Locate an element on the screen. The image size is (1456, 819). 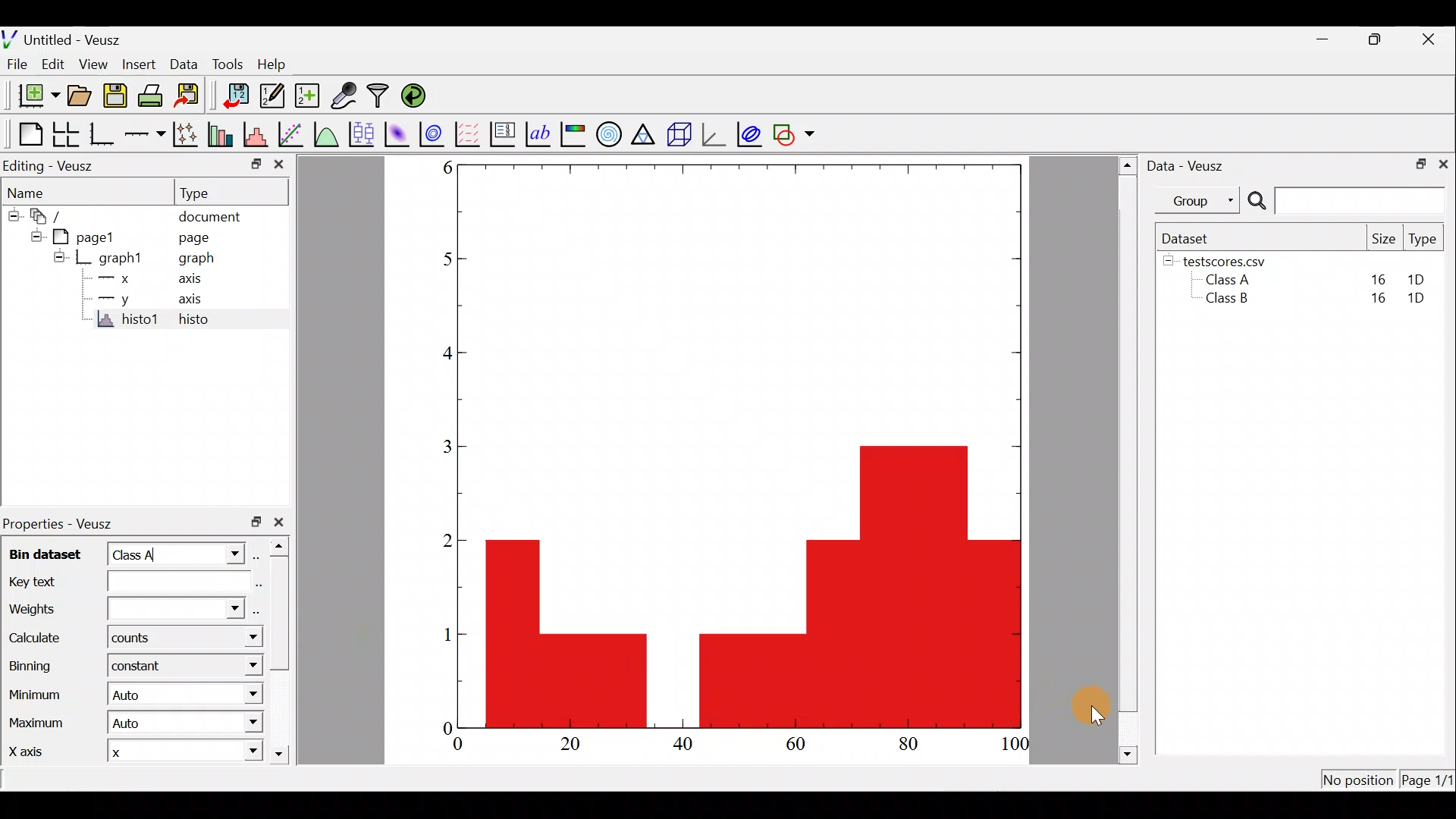
Properties - Veusz is located at coordinates (64, 519).